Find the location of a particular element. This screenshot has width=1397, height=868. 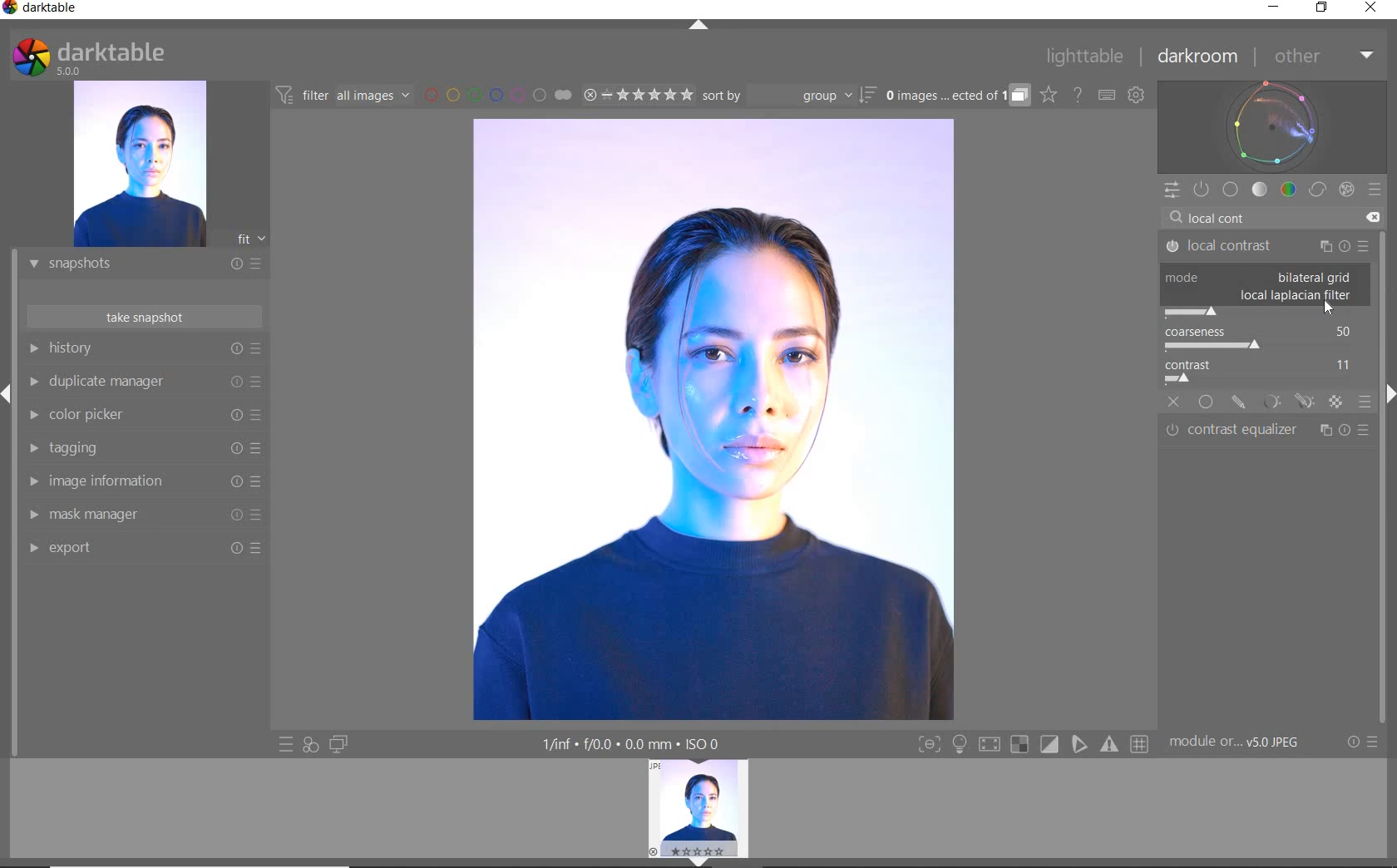

QUICK ACCESS PANEL is located at coordinates (1171, 191).